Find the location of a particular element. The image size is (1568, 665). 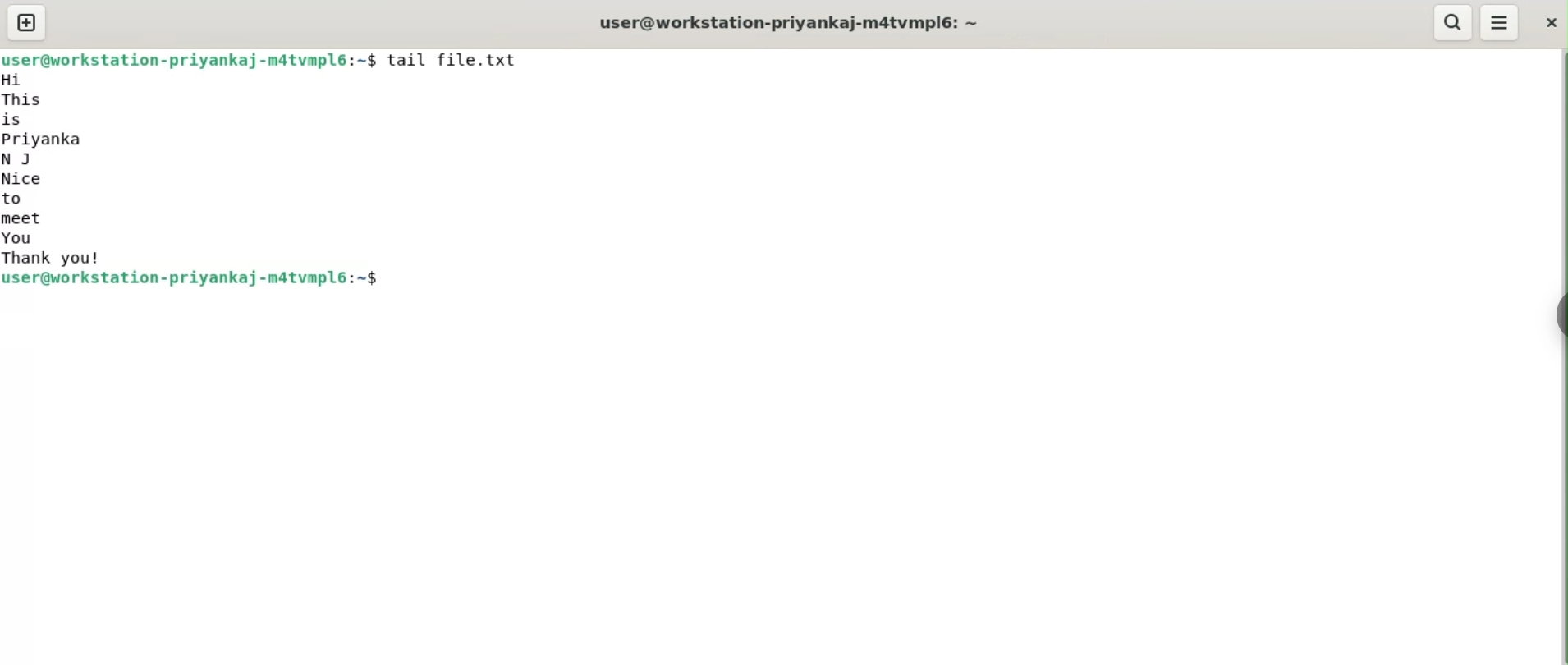

command input is located at coordinates (968, 282).